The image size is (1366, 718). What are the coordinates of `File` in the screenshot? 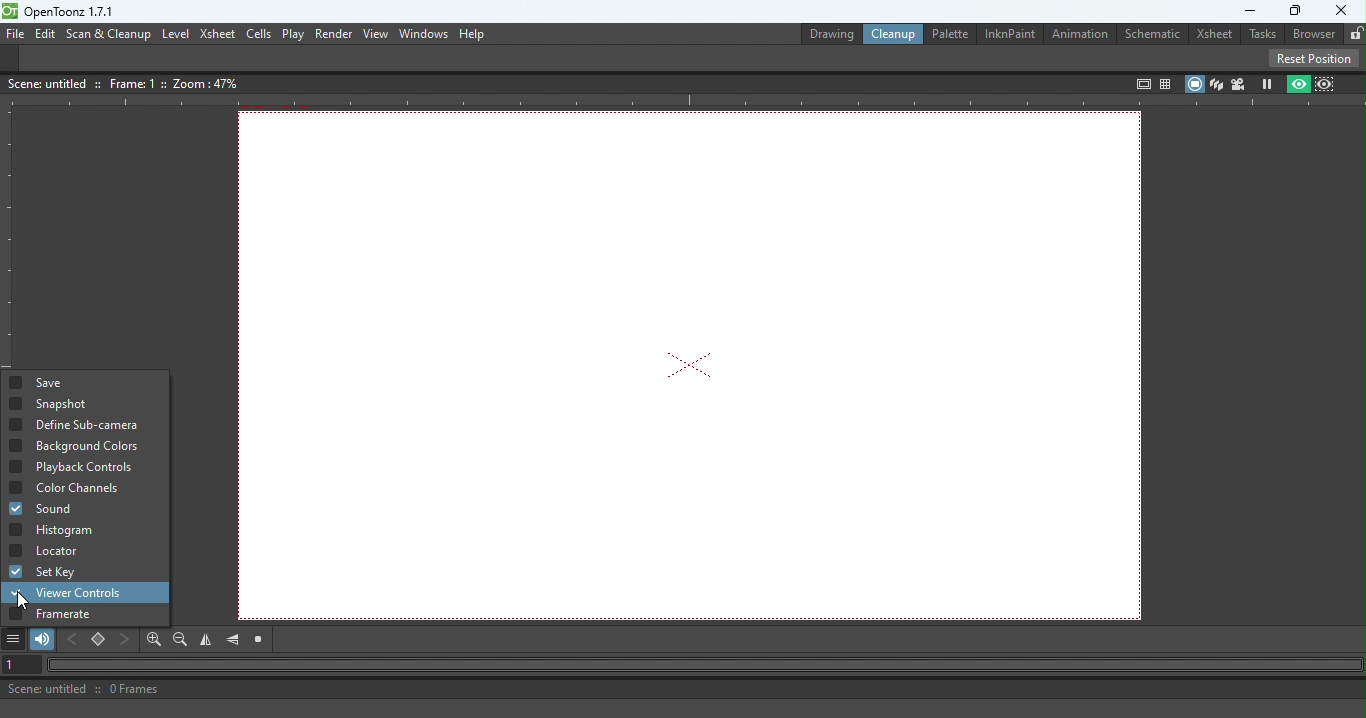 It's located at (13, 34).